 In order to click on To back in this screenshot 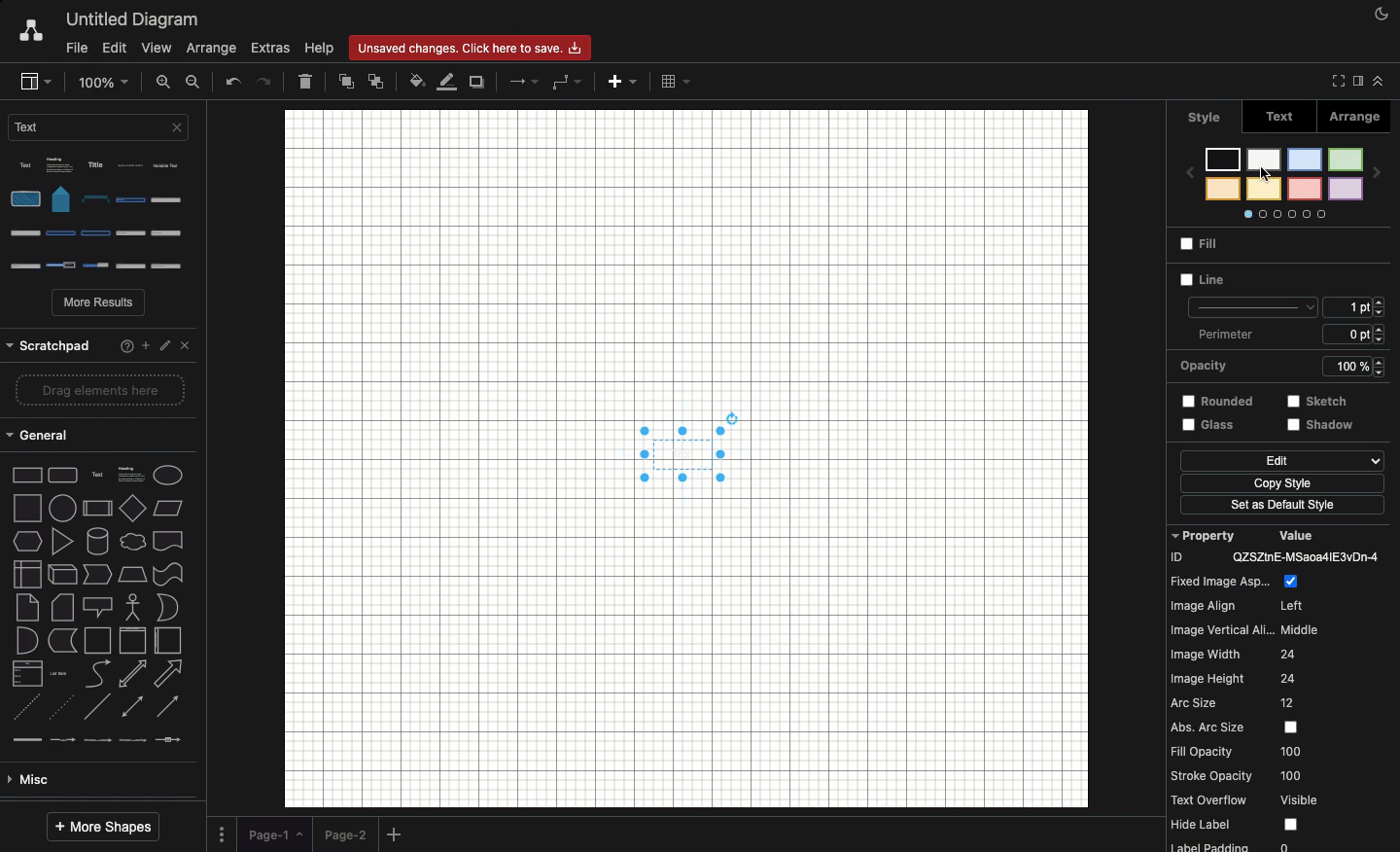, I will do `click(375, 81)`.